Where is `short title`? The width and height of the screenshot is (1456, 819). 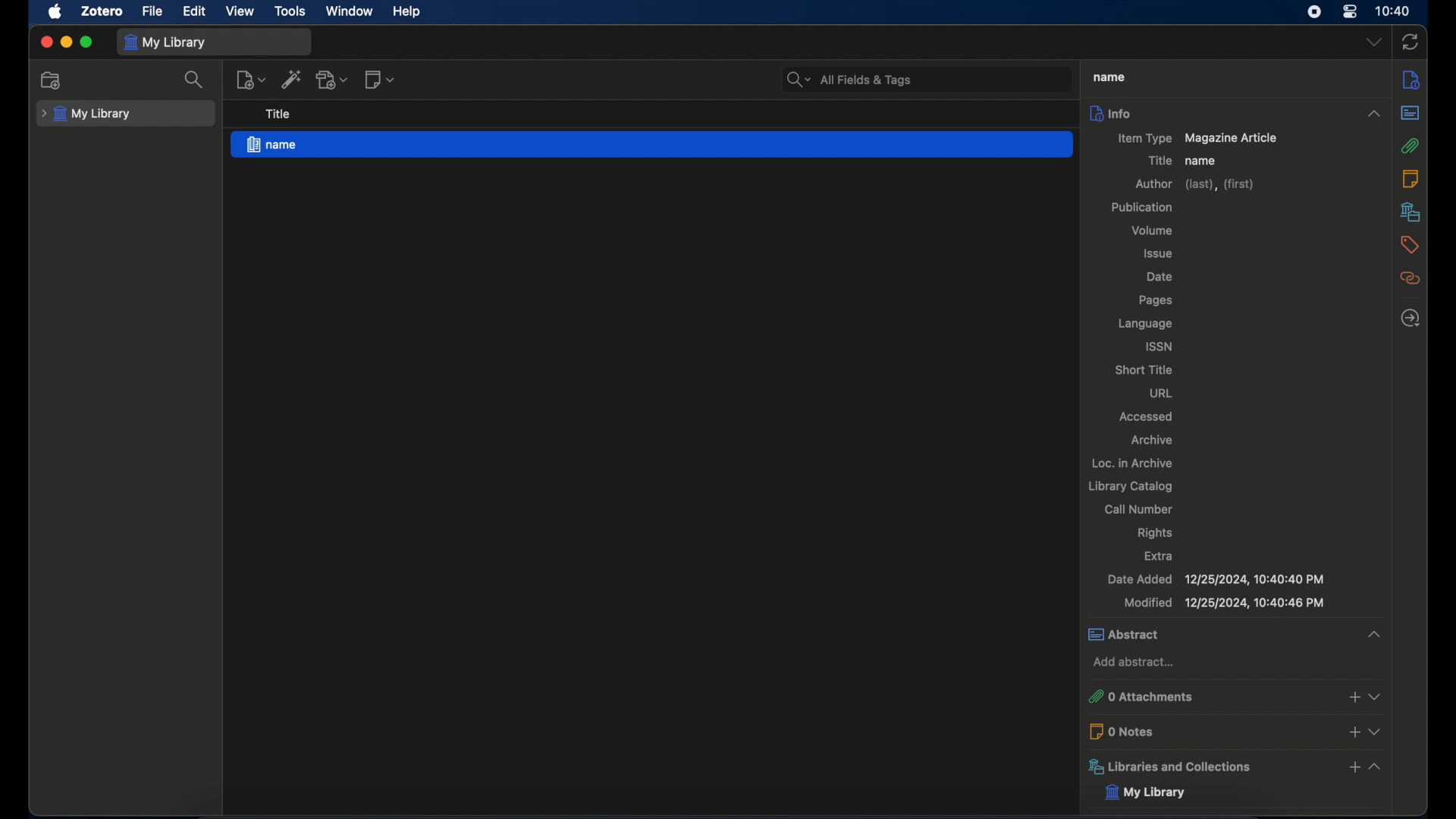
short title is located at coordinates (1143, 370).